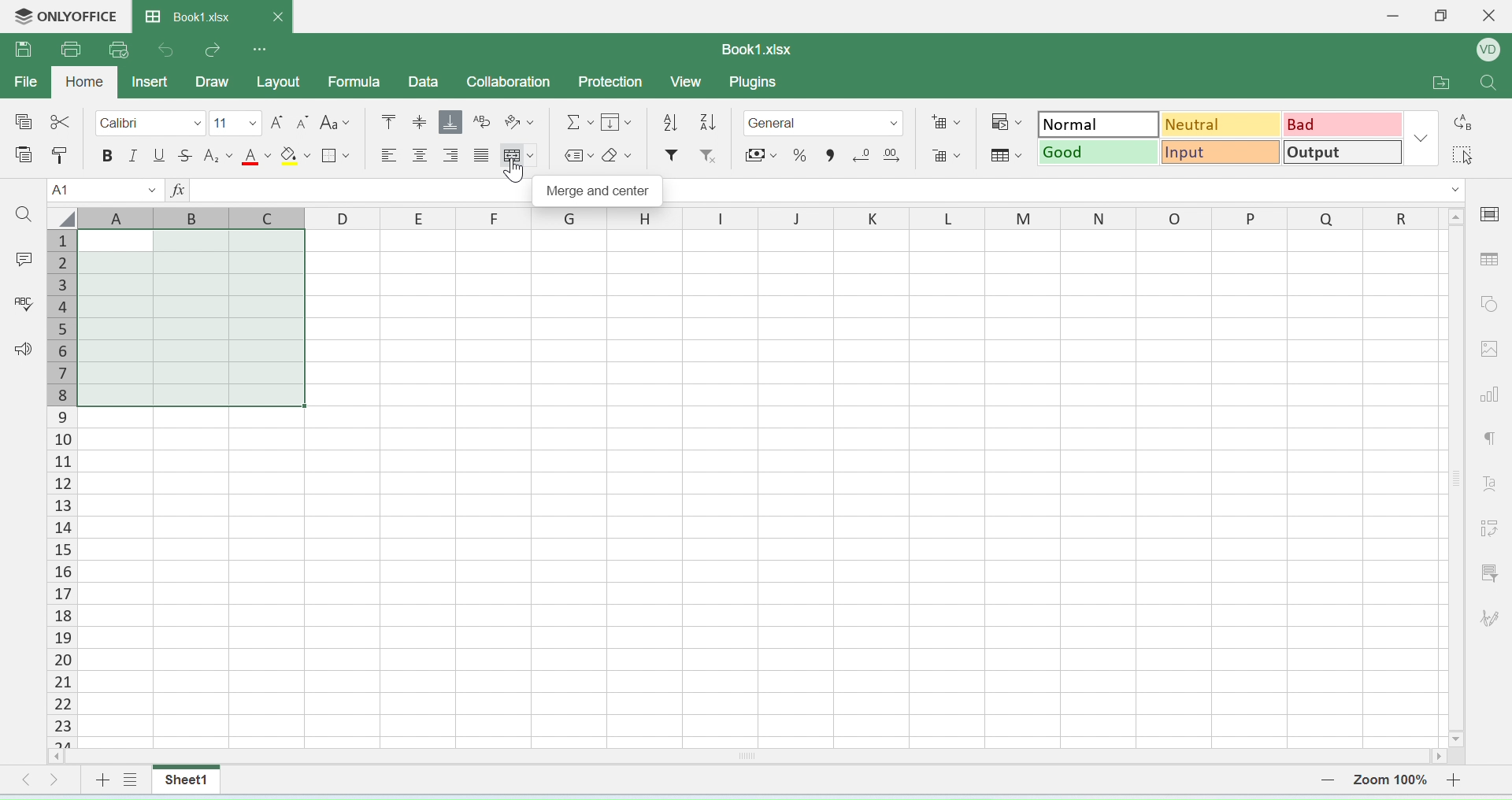 Image resolution: width=1512 pixels, height=800 pixels. What do you see at coordinates (1489, 49) in the screenshot?
I see `profile` at bounding box center [1489, 49].